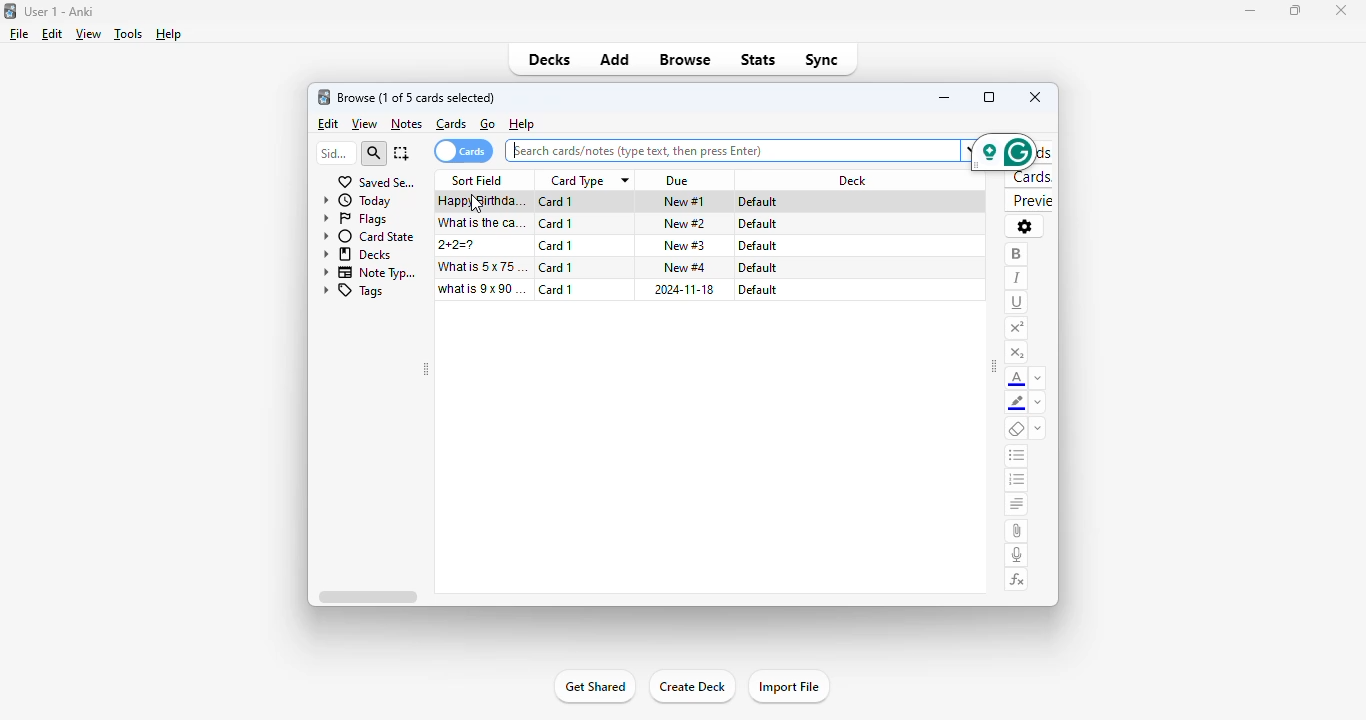  Describe the element at coordinates (1037, 429) in the screenshot. I see `select formatting to remove` at that location.